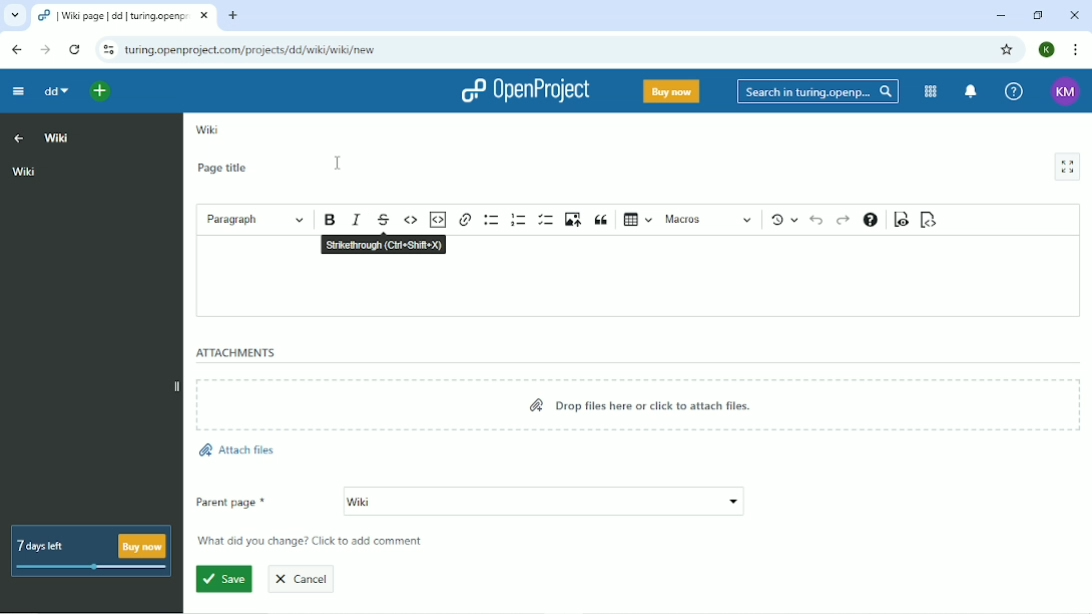  What do you see at coordinates (299, 579) in the screenshot?
I see `Cancel` at bounding box center [299, 579].